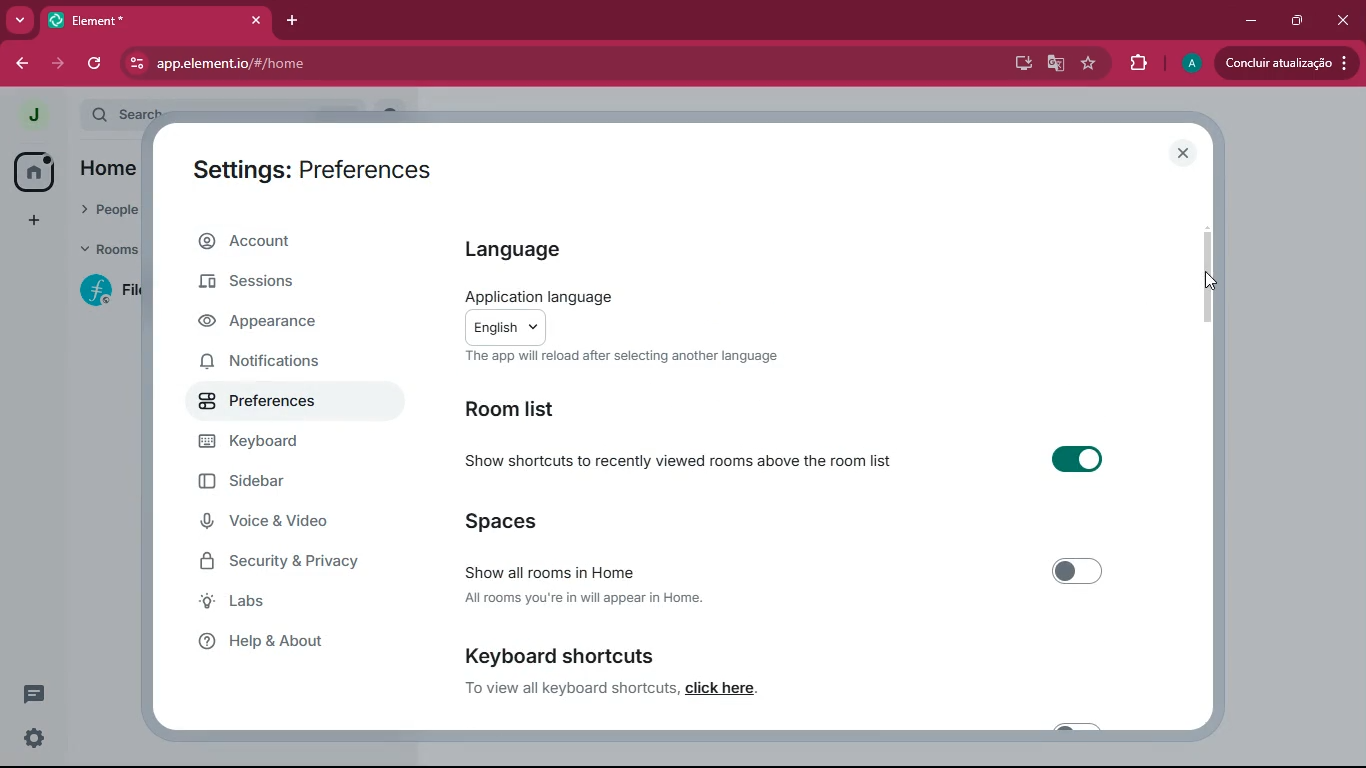  Describe the element at coordinates (280, 322) in the screenshot. I see `appearance` at that location.